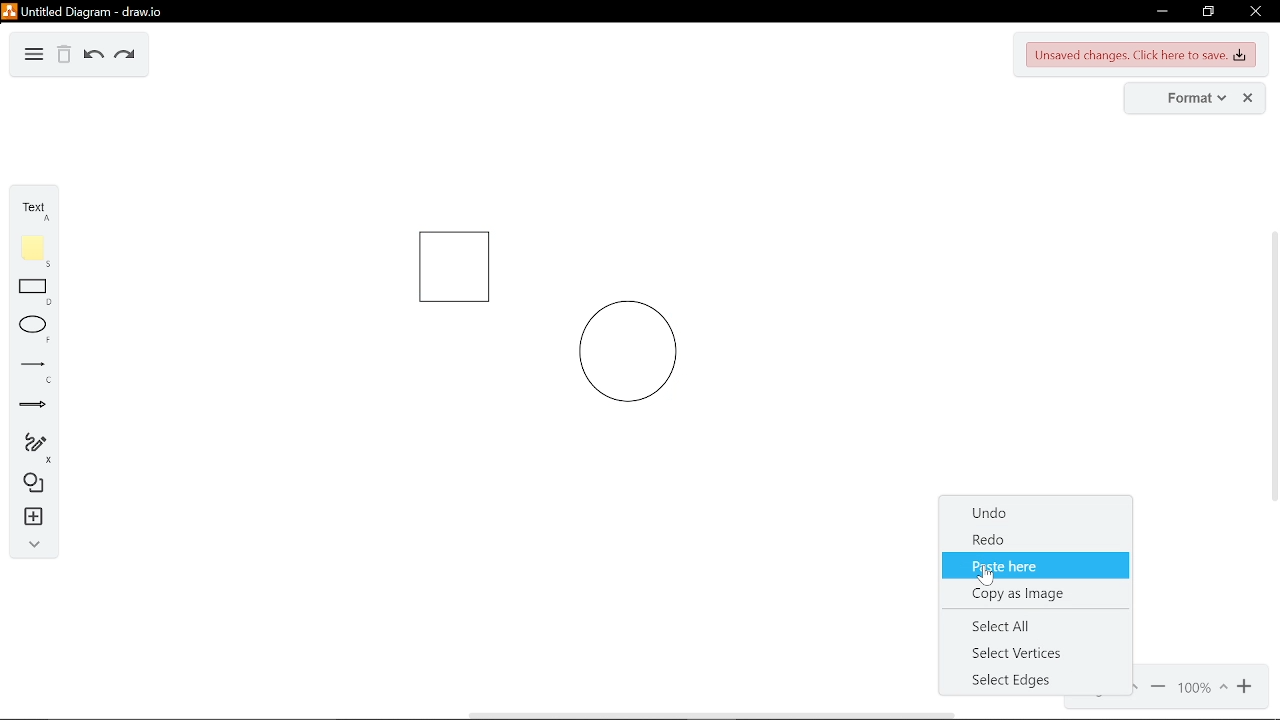  Describe the element at coordinates (32, 209) in the screenshot. I see `text` at that location.